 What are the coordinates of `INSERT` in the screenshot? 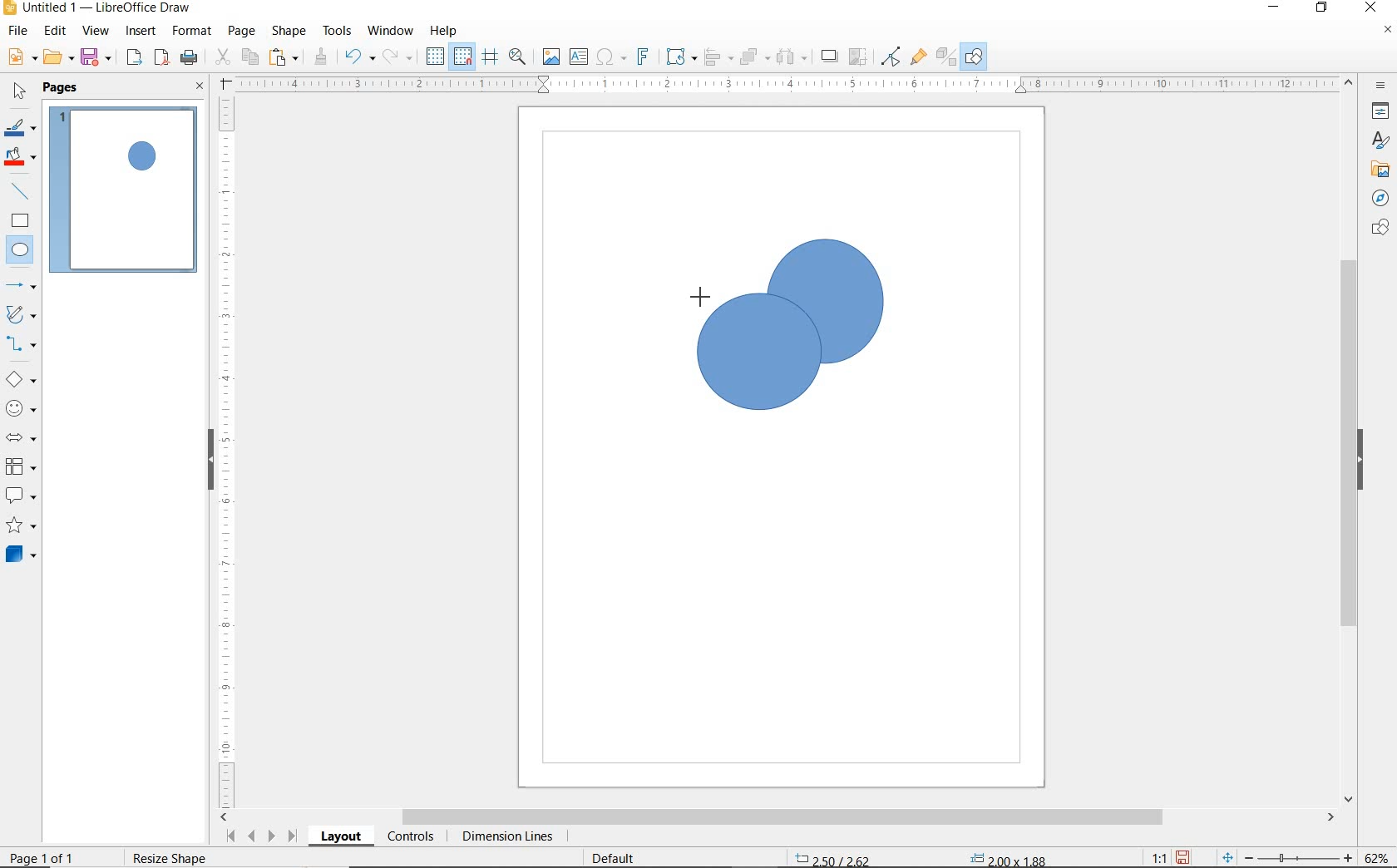 It's located at (143, 32).